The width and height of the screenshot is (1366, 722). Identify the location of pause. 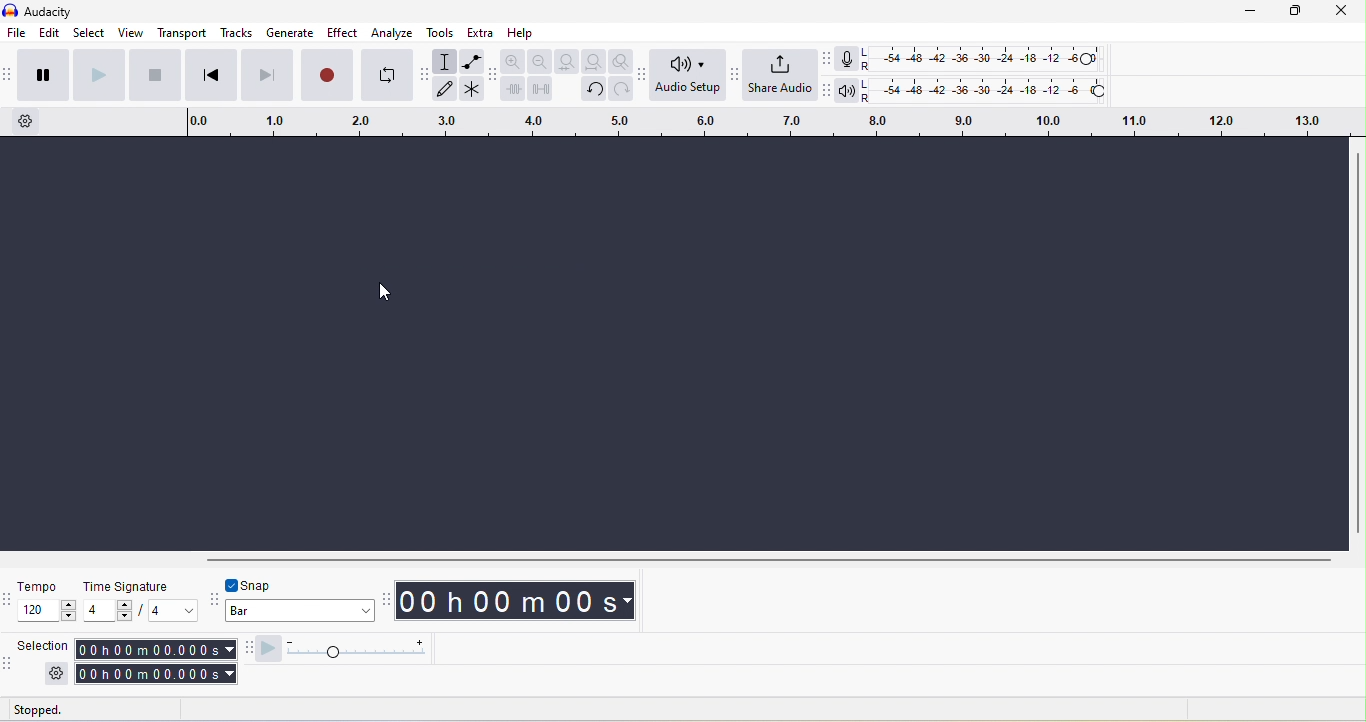
(44, 76).